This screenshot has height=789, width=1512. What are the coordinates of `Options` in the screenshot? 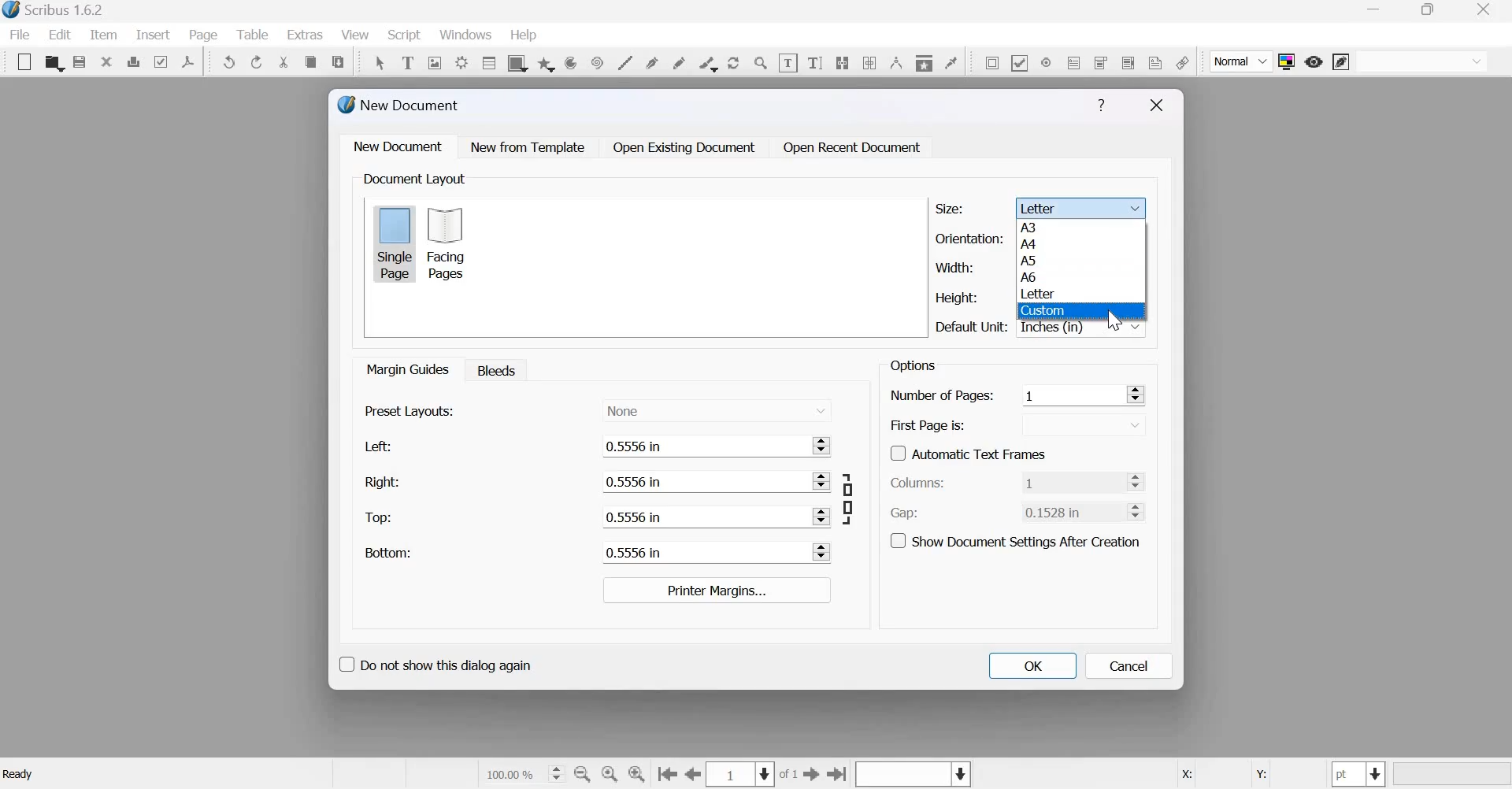 It's located at (910, 365).